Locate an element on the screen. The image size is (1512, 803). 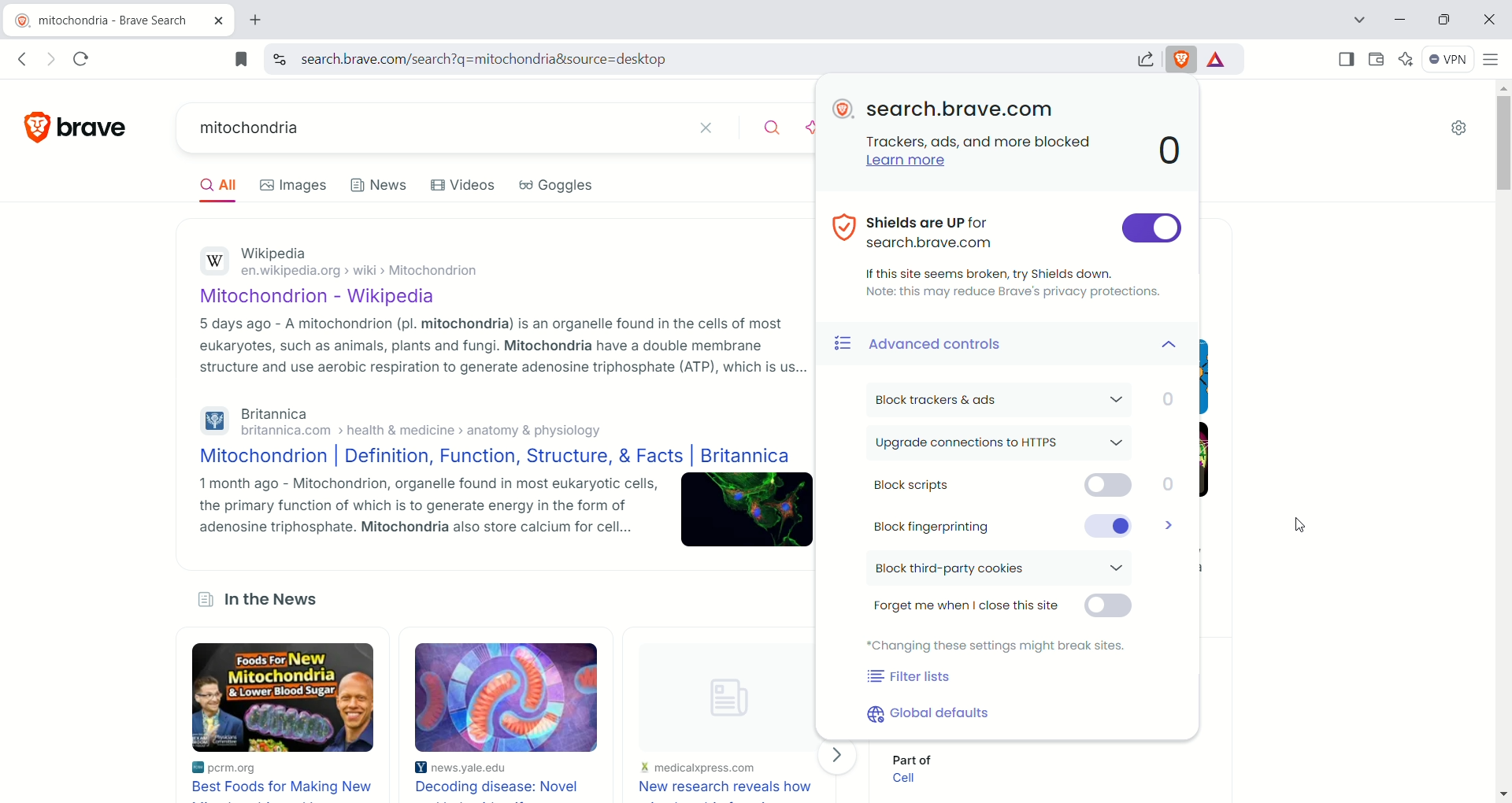
Block fingerprinting enabled is located at coordinates (999, 524).